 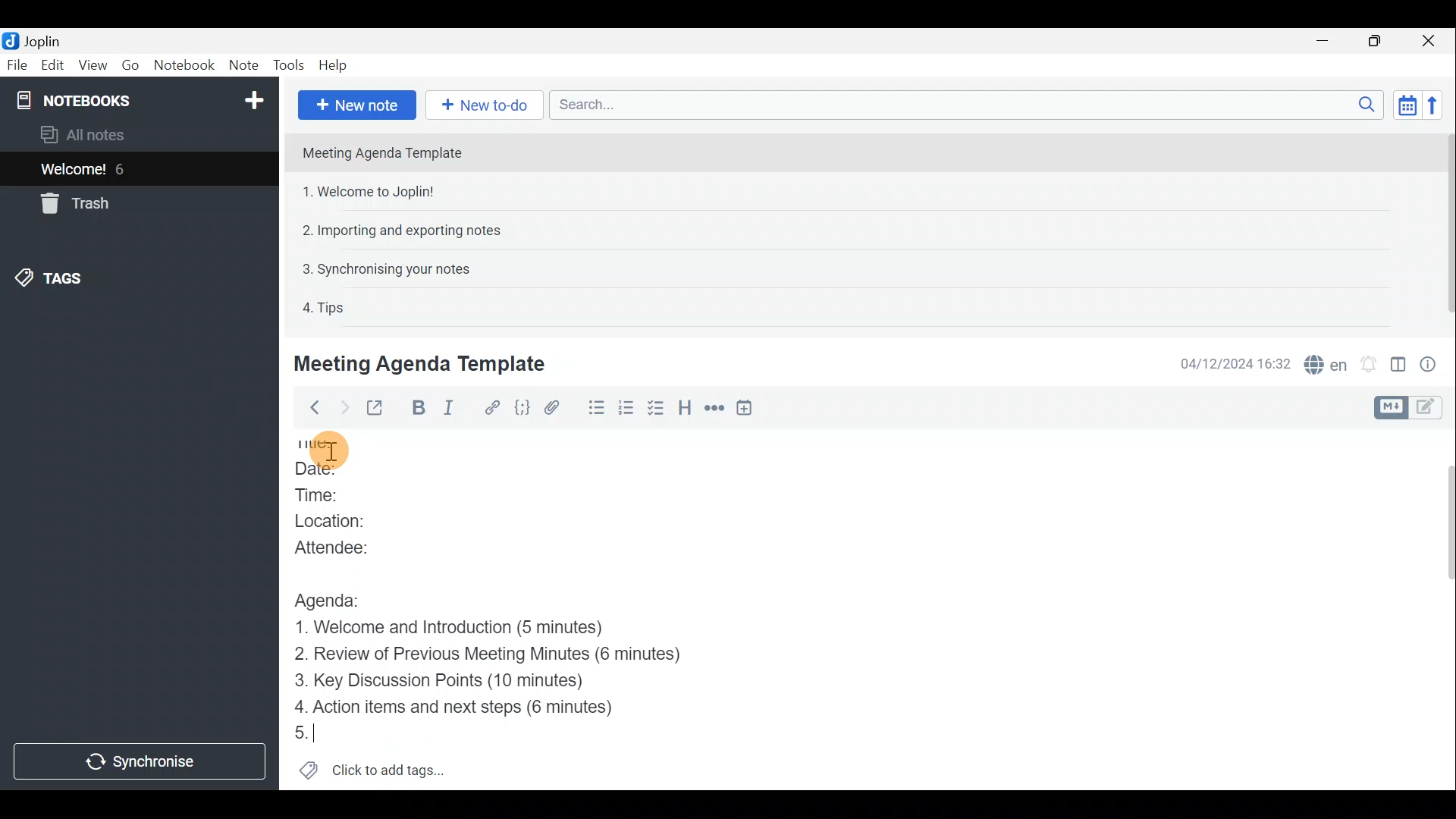 What do you see at coordinates (748, 410) in the screenshot?
I see `Insert time` at bounding box center [748, 410].